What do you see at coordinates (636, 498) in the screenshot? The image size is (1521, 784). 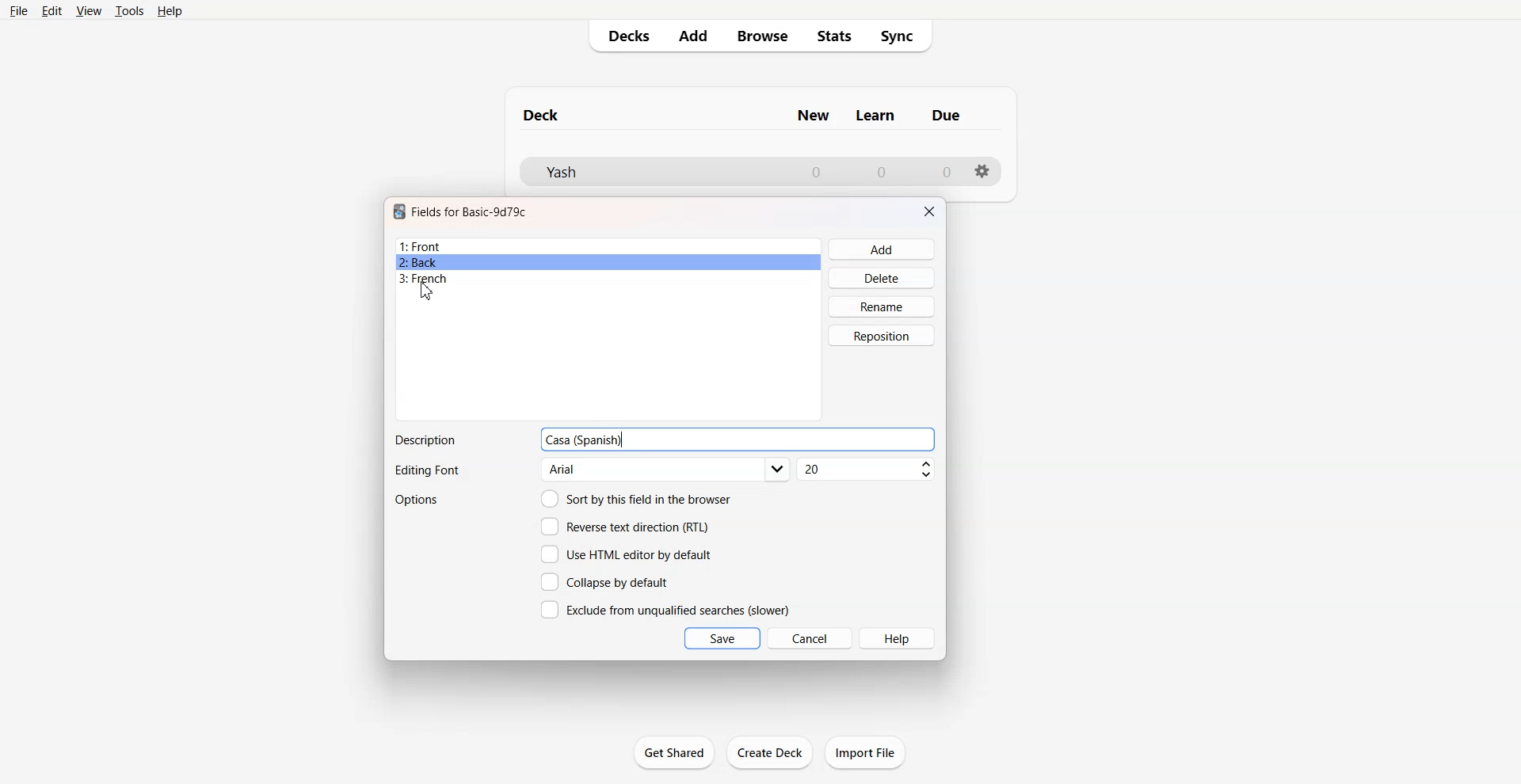 I see `Sort by this field in the browser` at bounding box center [636, 498].